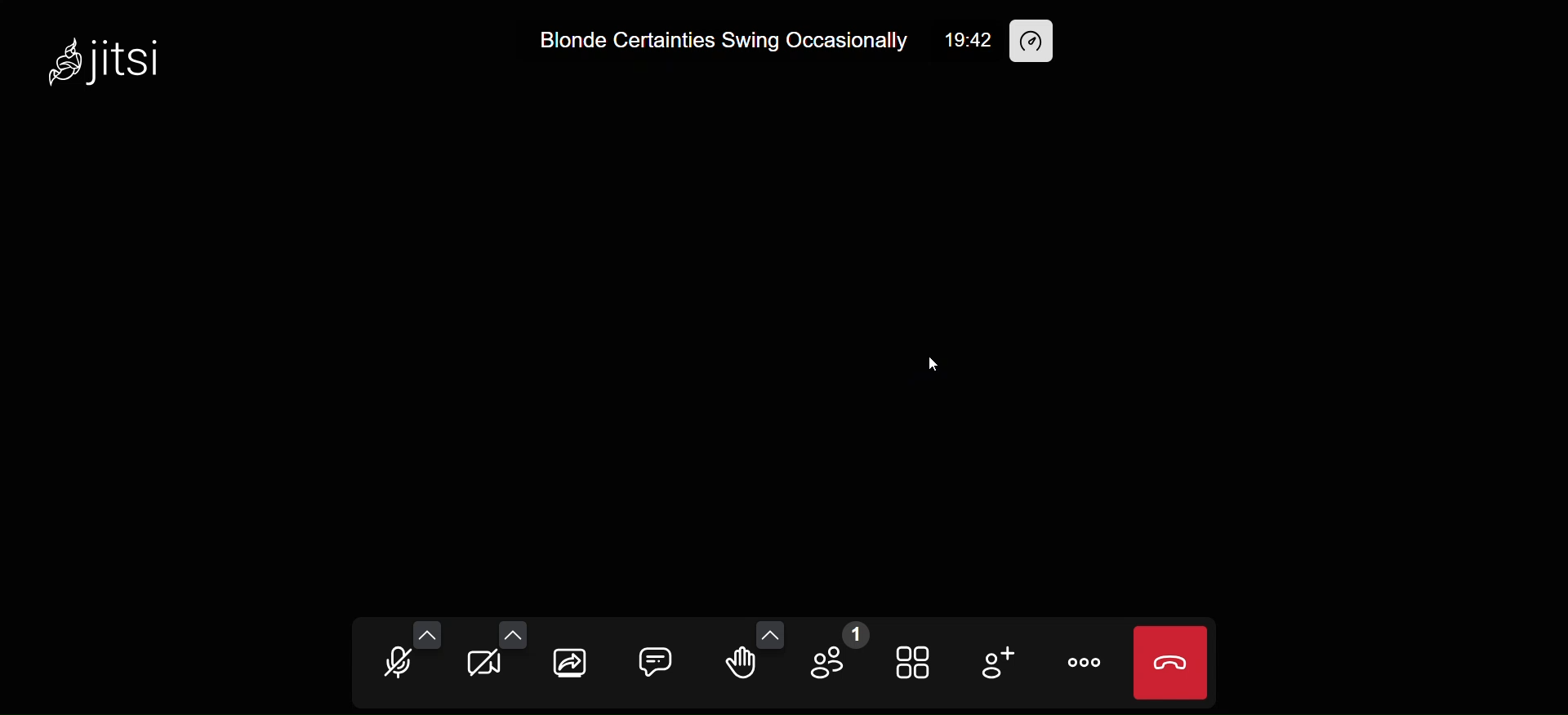 The image size is (1568, 715). What do you see at coordinates (769, 632) in the screenshot?
I see `more emoji` at bounding box center [769, 632].